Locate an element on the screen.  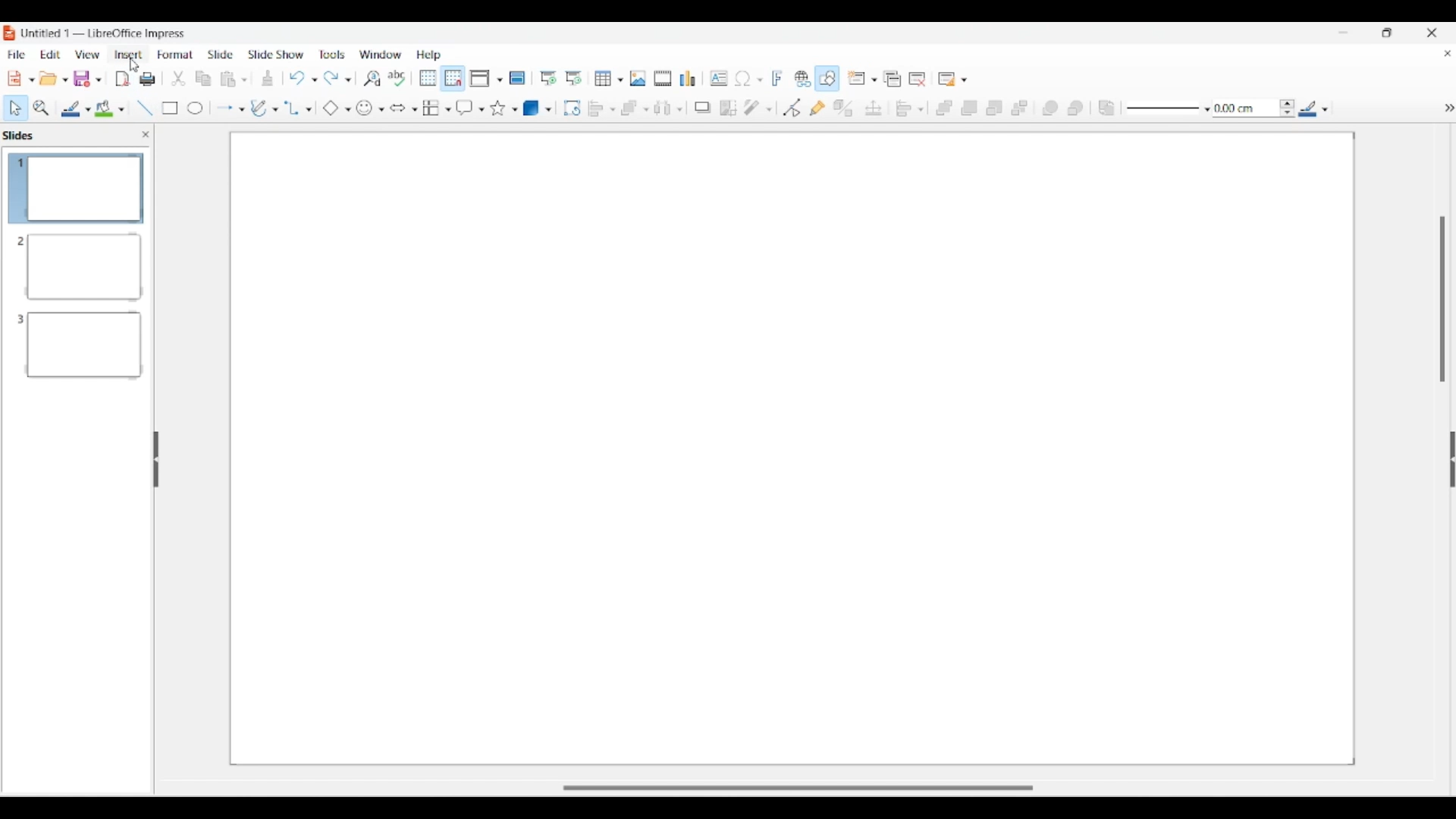
Horizontal slide bar is located at coordinates (799, 788).